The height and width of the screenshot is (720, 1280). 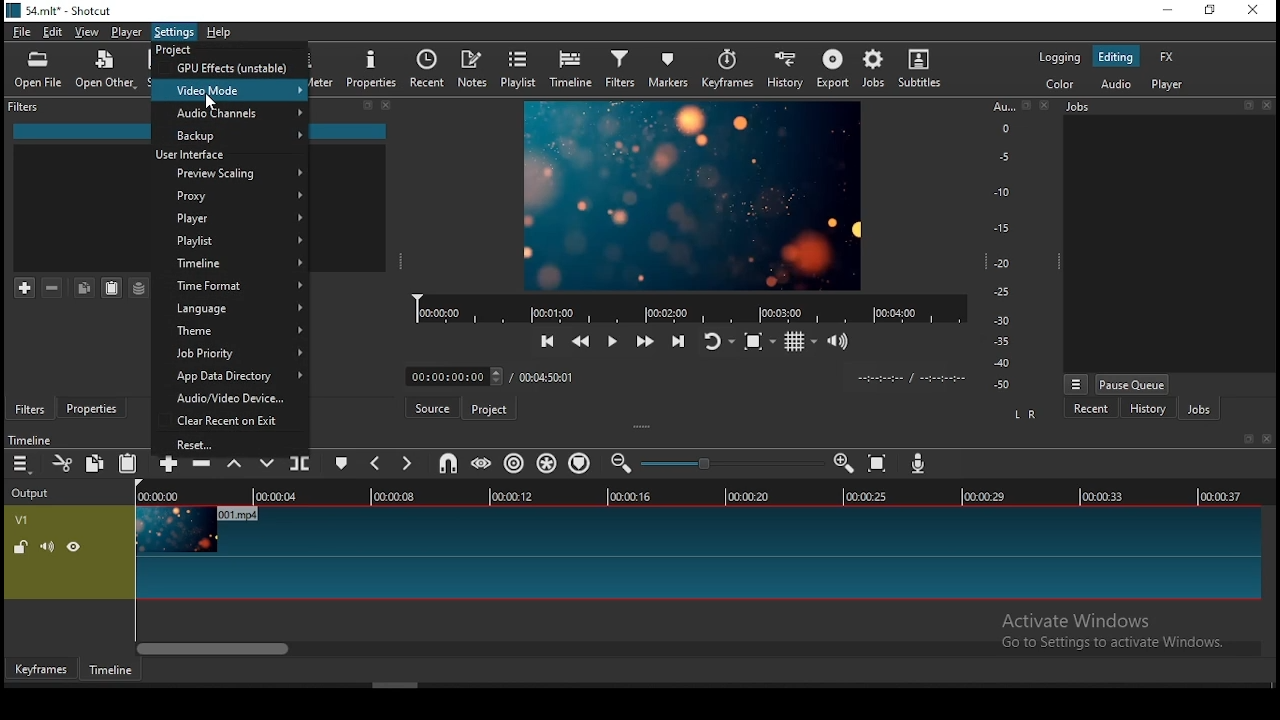 What do you see at coordinates (279, 496) in the screenshot?
I see `00:00:04` at bounding box center [279, 496].